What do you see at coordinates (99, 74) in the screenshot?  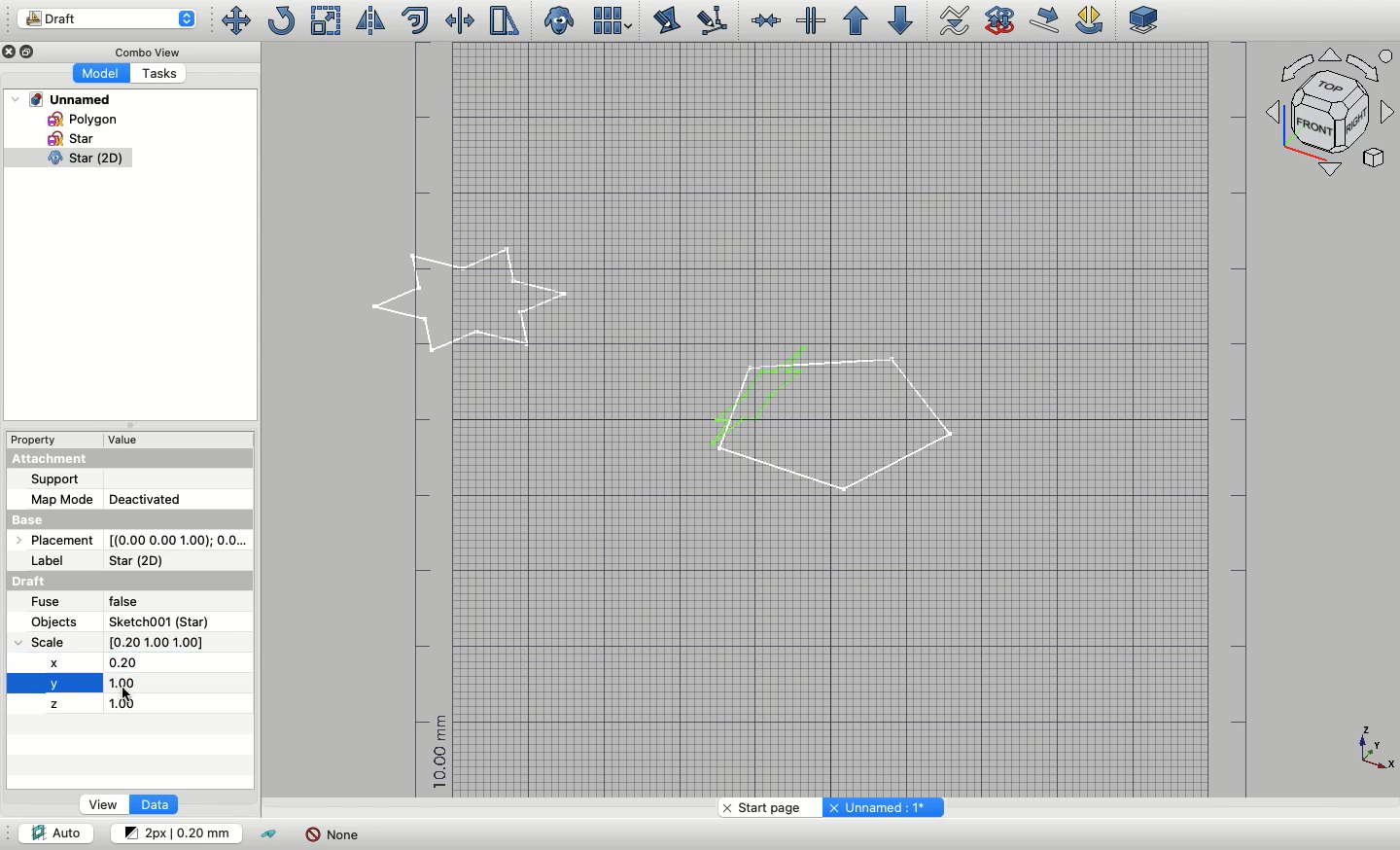 I see `Model` at bounding box center [99, 74].